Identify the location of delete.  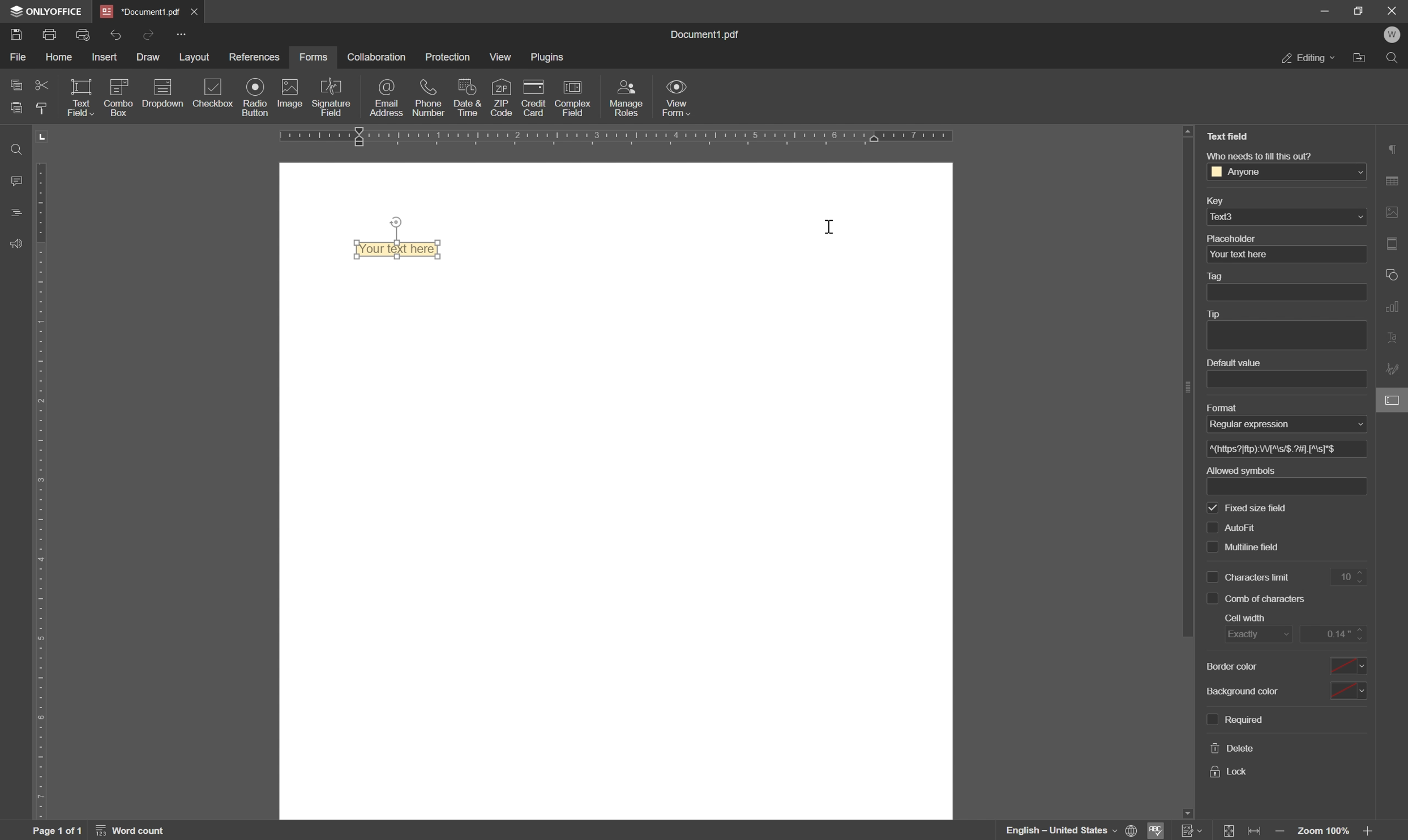
(1233, 749).